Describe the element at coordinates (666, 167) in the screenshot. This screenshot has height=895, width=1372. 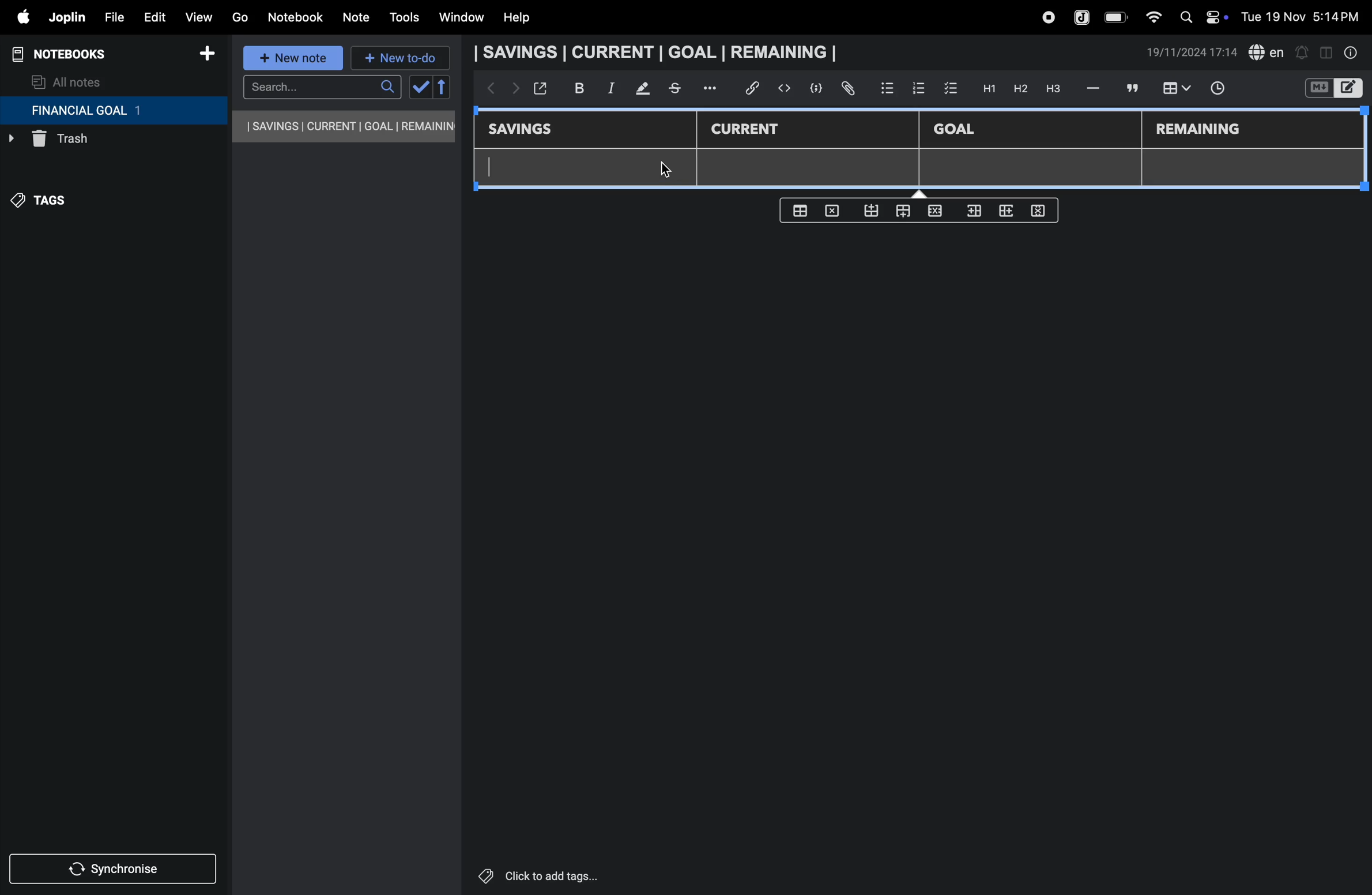
I see `cursor` at that location.